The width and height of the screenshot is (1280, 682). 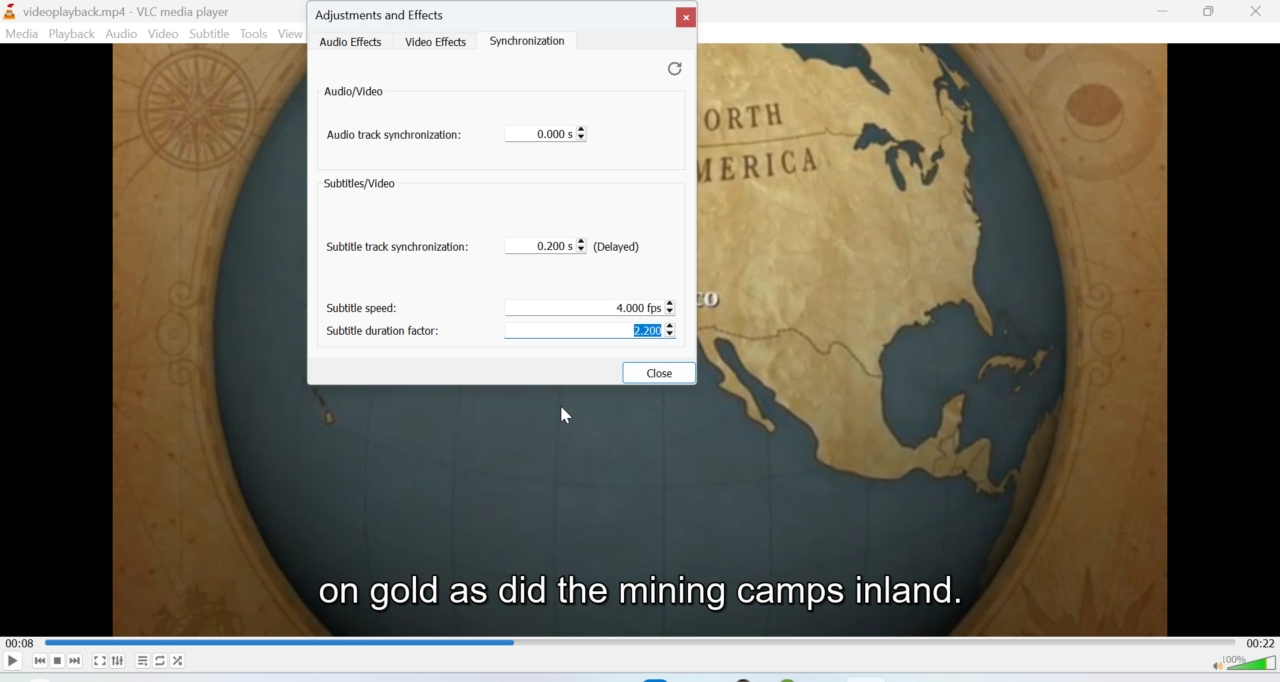 I want to click on Increased subtitle duration factor, so click(x=646, y=329).